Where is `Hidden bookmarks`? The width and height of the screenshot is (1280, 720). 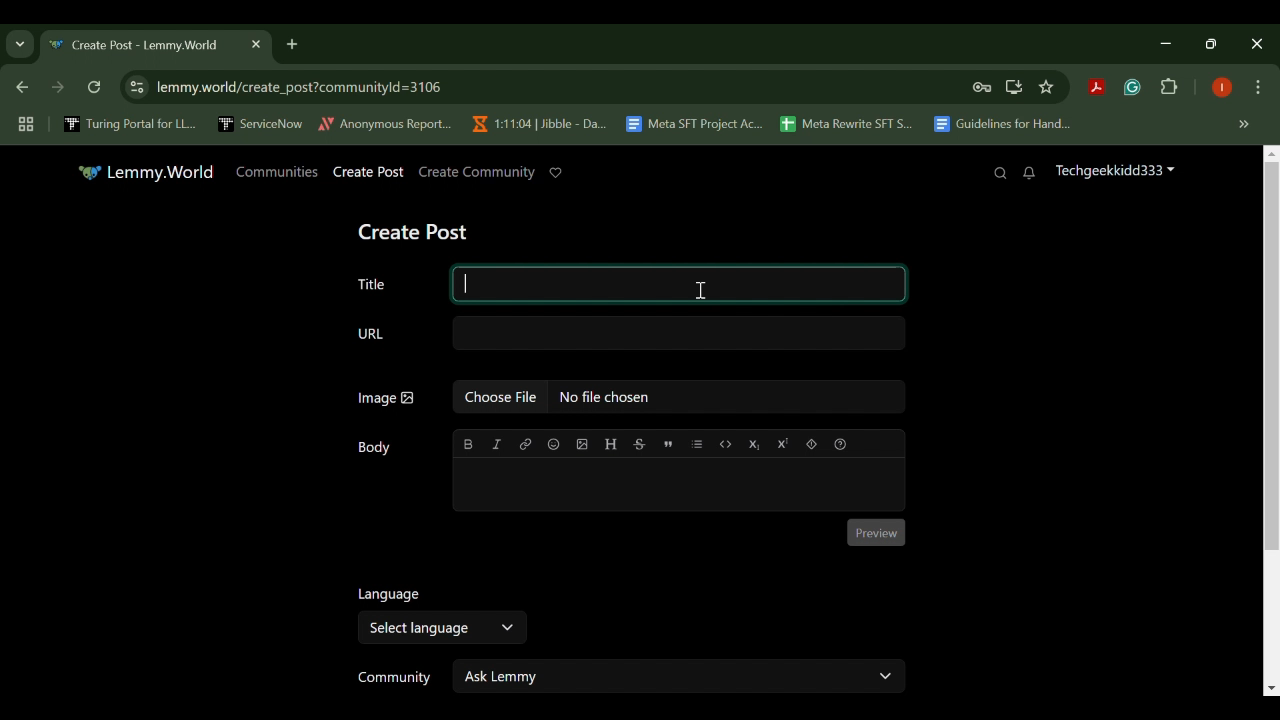
Hidden bookmarks is located at coordinates (1246, 125).